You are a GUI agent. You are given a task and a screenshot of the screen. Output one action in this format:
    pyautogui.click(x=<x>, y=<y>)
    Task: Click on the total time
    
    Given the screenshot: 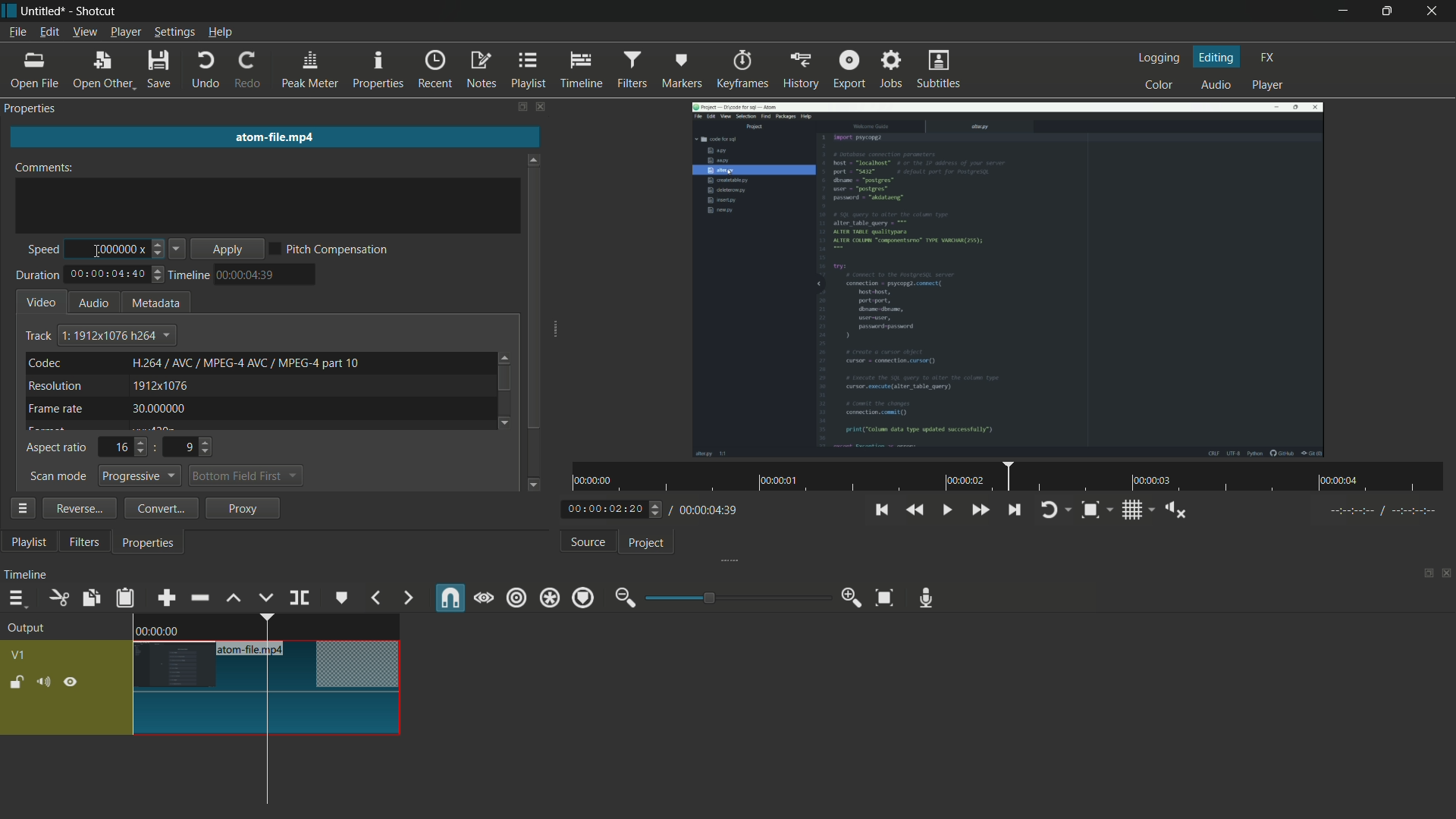 What is the action you would take?
    pyautogui.click(x=708, y=510)
    